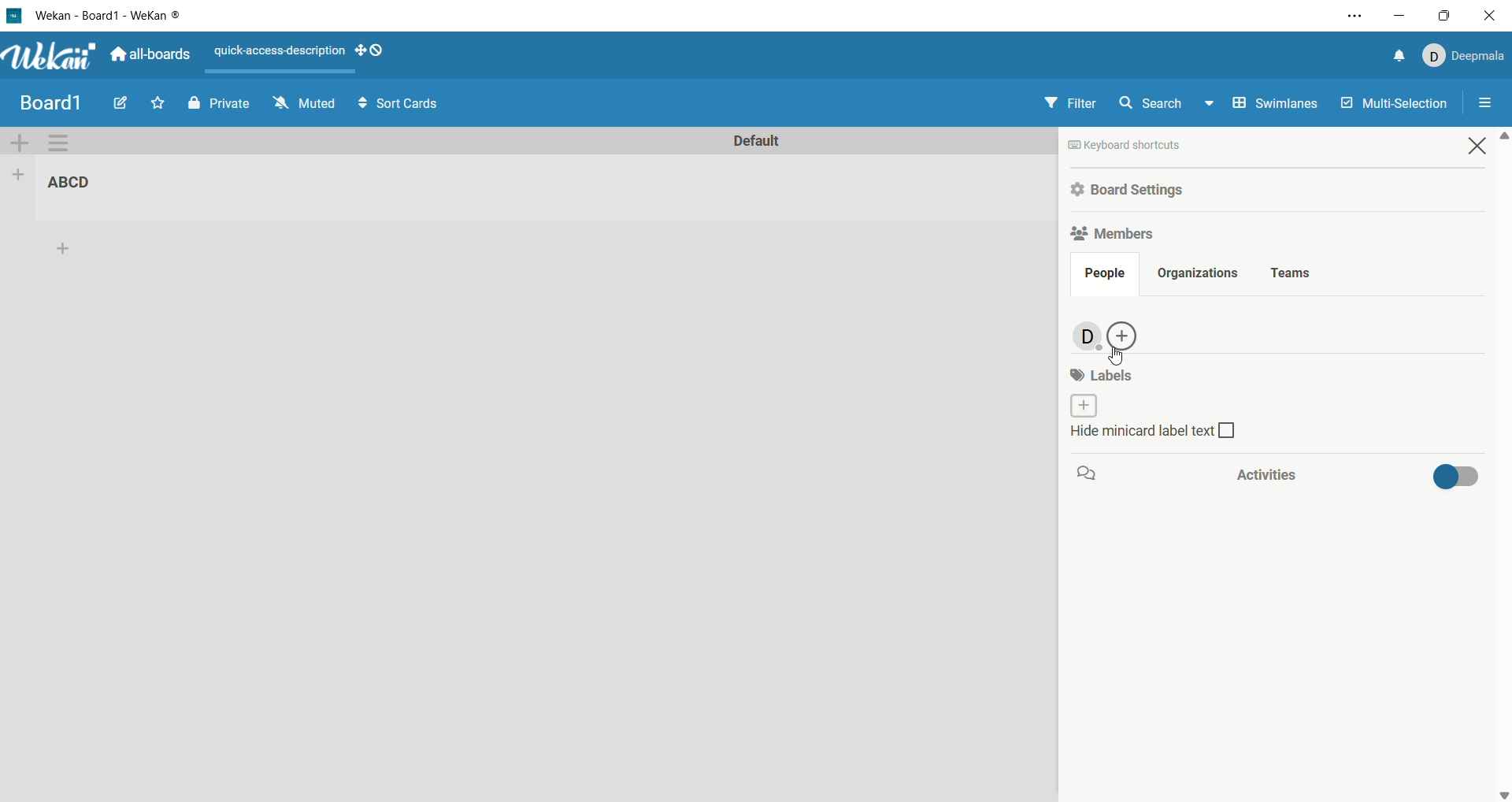 The width and height of the screenshot is (1512, 802). Describe the element at coordinates (1398, 14) in the screenshot. I see `minimize` at that location.